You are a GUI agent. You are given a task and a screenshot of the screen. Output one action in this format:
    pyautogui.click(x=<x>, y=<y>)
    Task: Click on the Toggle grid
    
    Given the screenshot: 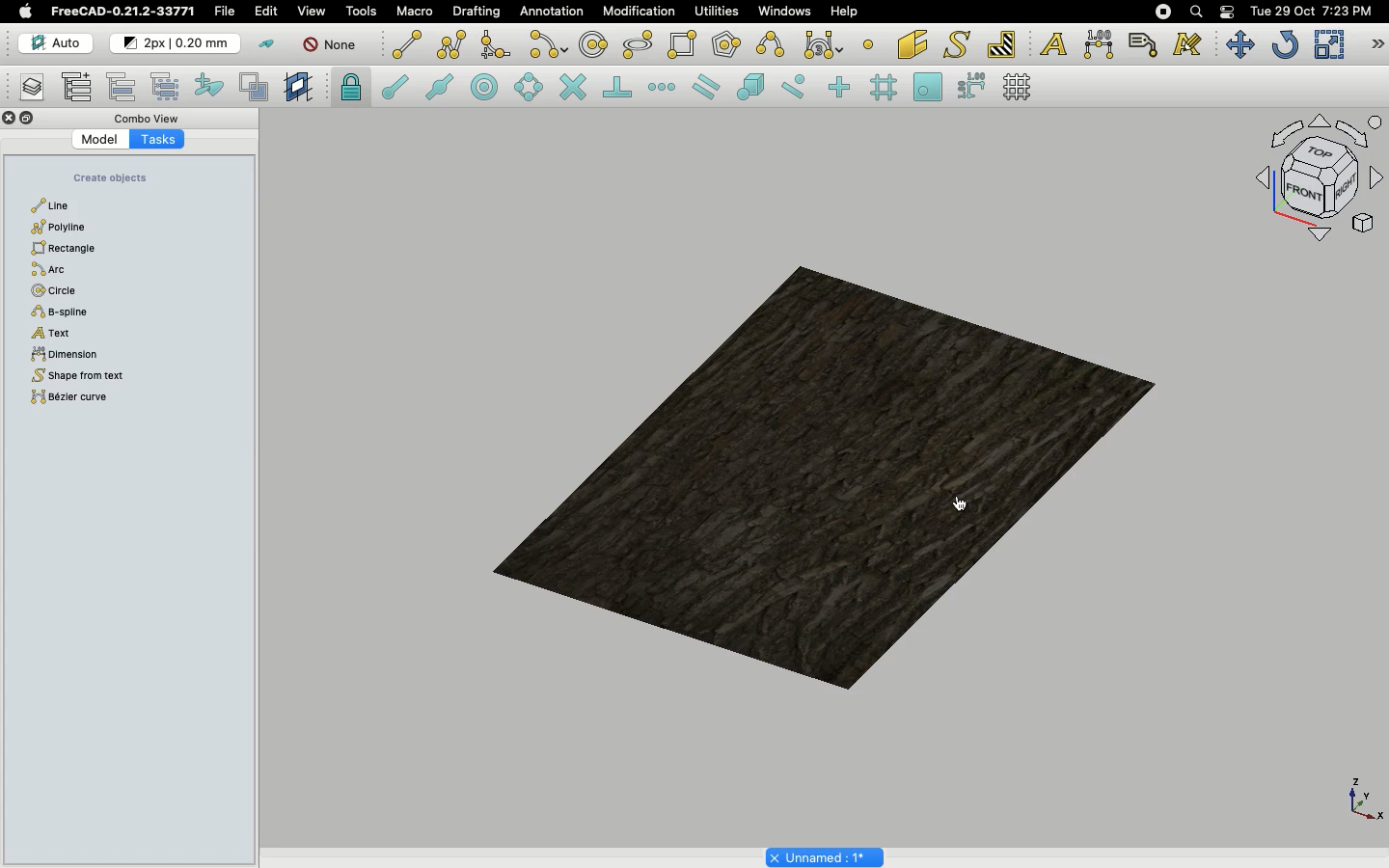 What is the action you would take?
    pyautogui.click(x=1023, y=87)
    